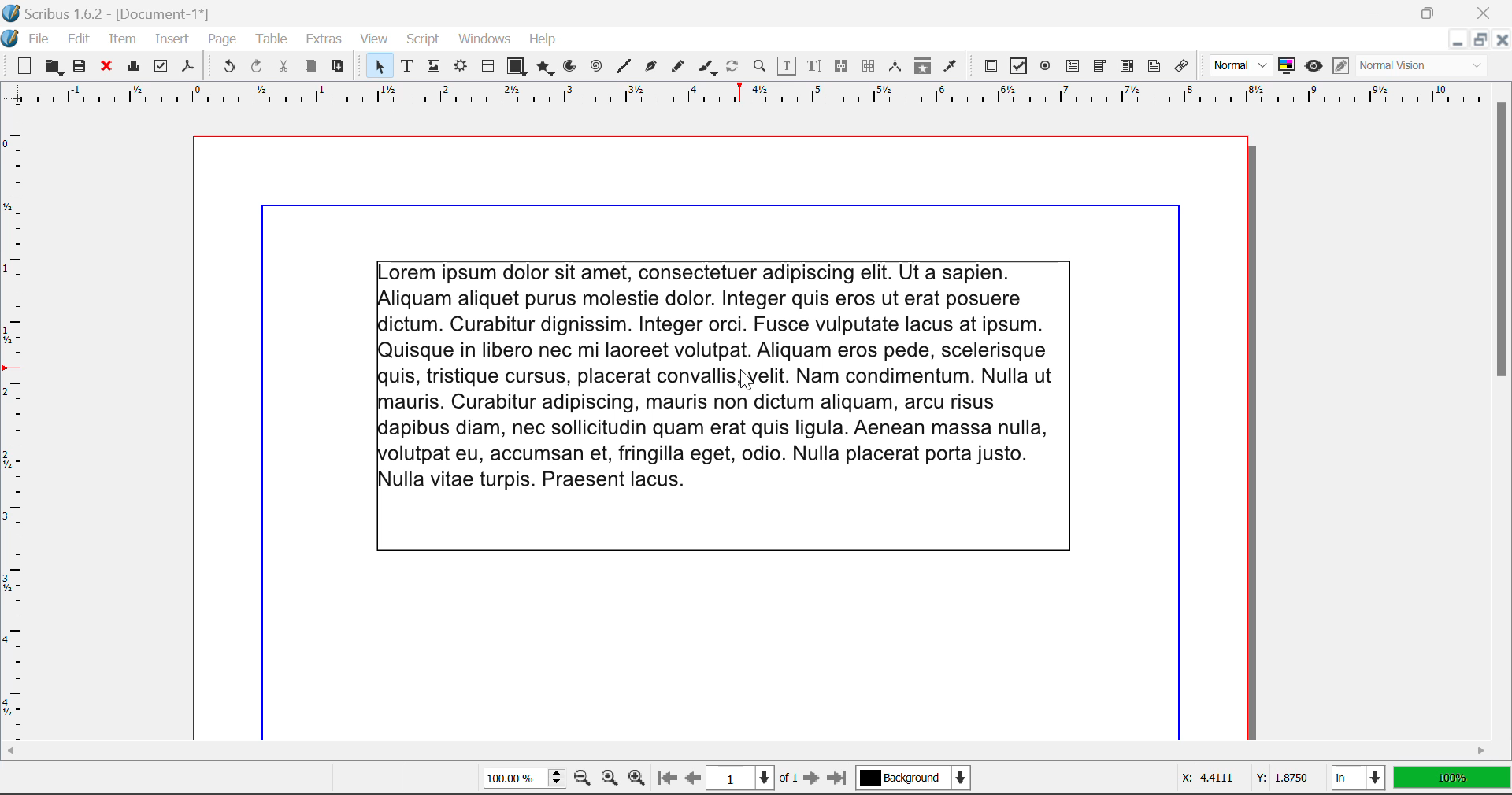 This screenshot has width=1512, height=795. What do you see at coordinates (747, 380) in the screenshot?
I see `Cursor Position` at bounding box center [747, 380].